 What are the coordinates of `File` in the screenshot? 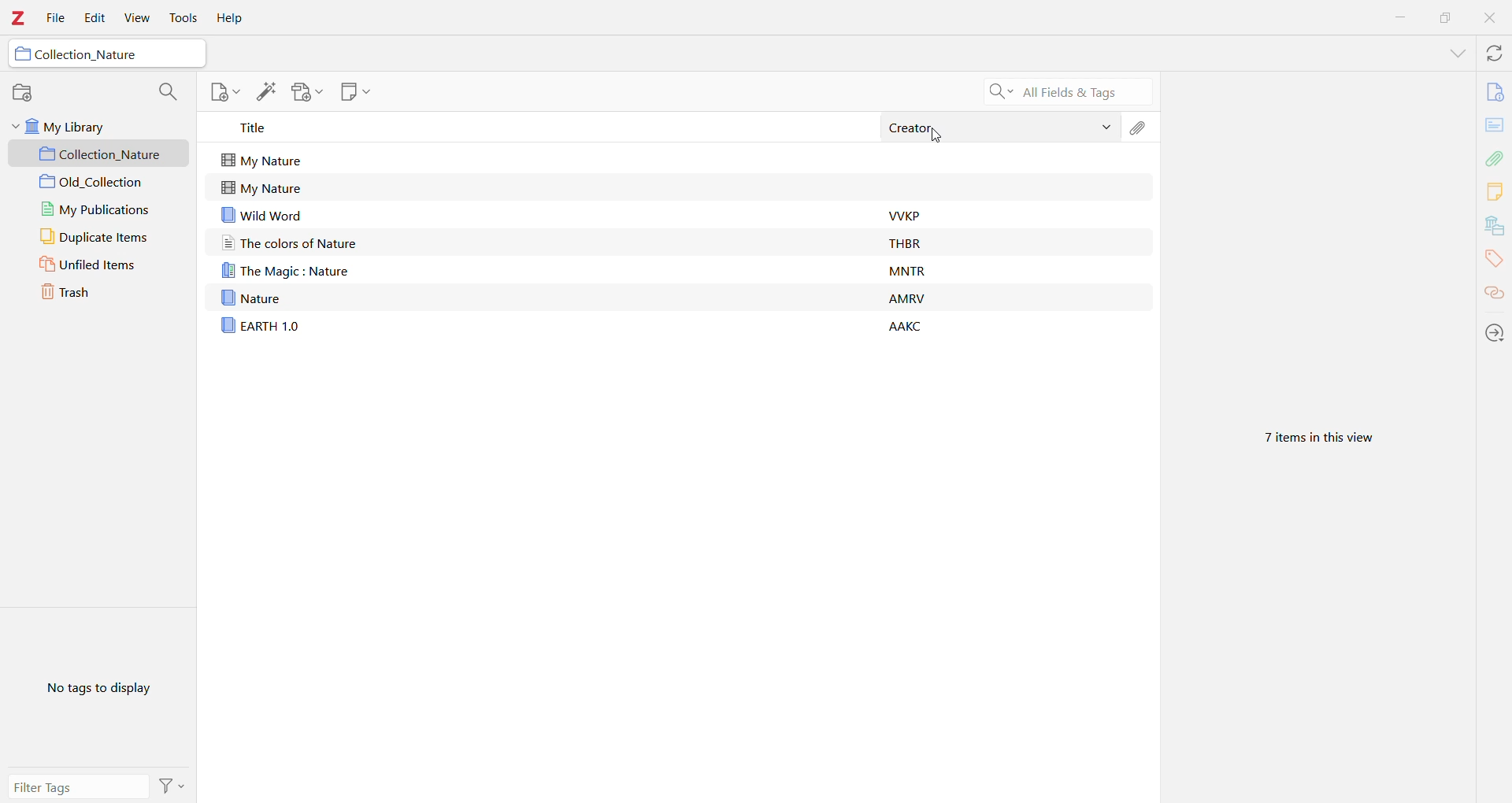 It's located at (56, 18).